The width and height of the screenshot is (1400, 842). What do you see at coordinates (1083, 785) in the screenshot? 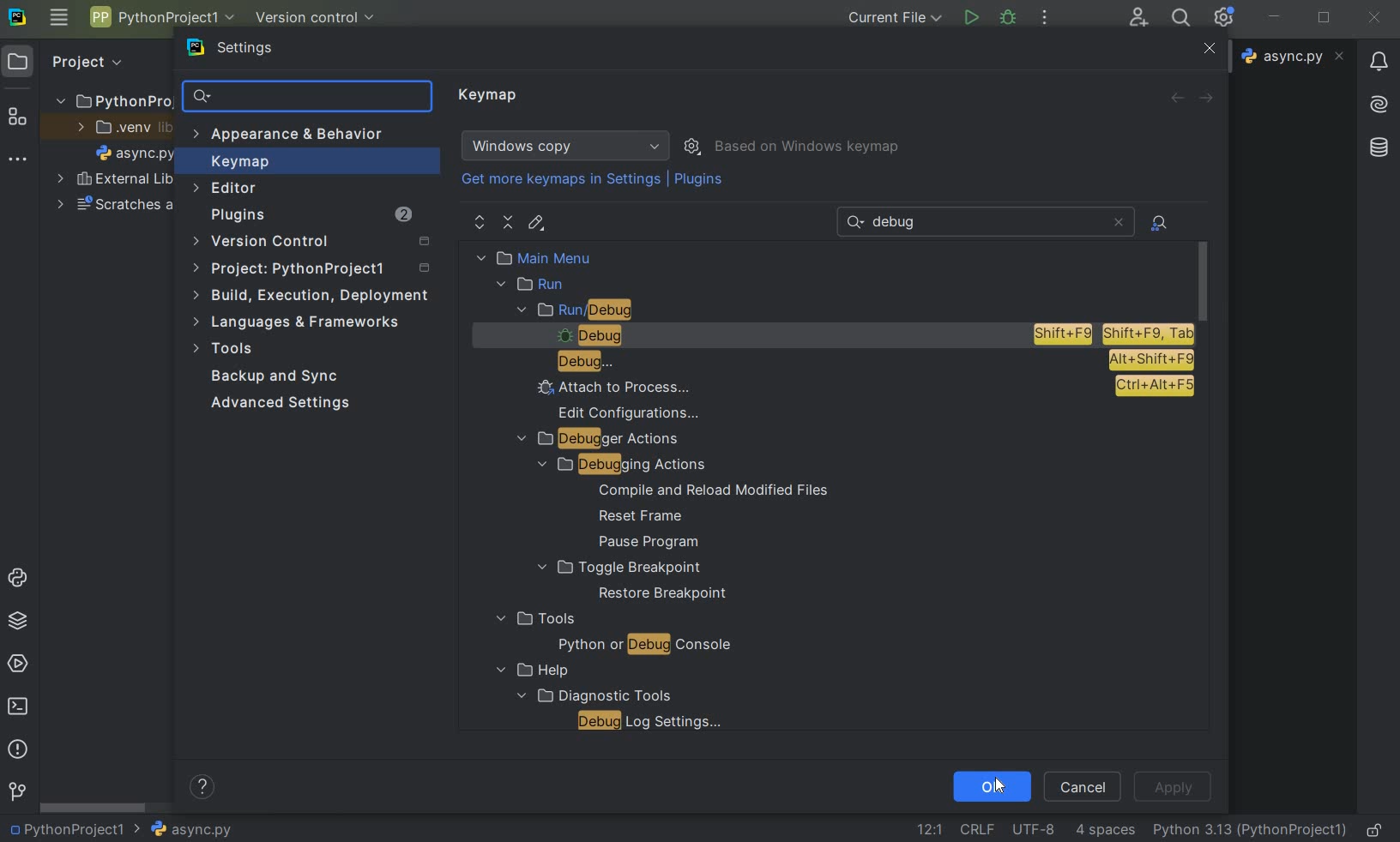
I see `cancel` at bounding box center [1083, 785].